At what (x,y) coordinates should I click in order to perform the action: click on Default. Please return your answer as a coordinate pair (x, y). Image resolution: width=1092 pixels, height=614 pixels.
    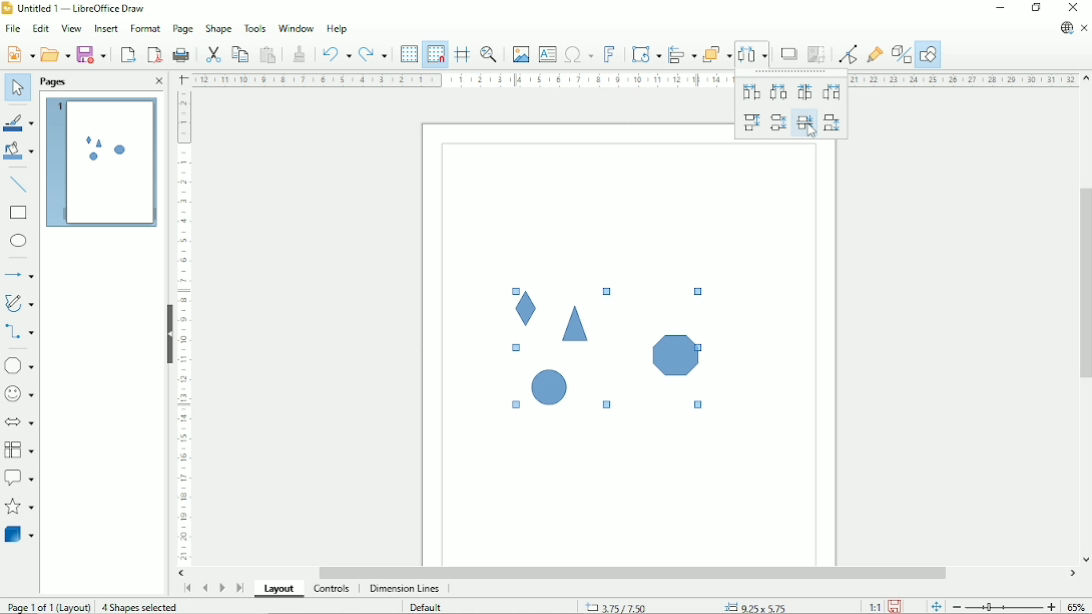
    Looking at the image, I should click on (429, 606).